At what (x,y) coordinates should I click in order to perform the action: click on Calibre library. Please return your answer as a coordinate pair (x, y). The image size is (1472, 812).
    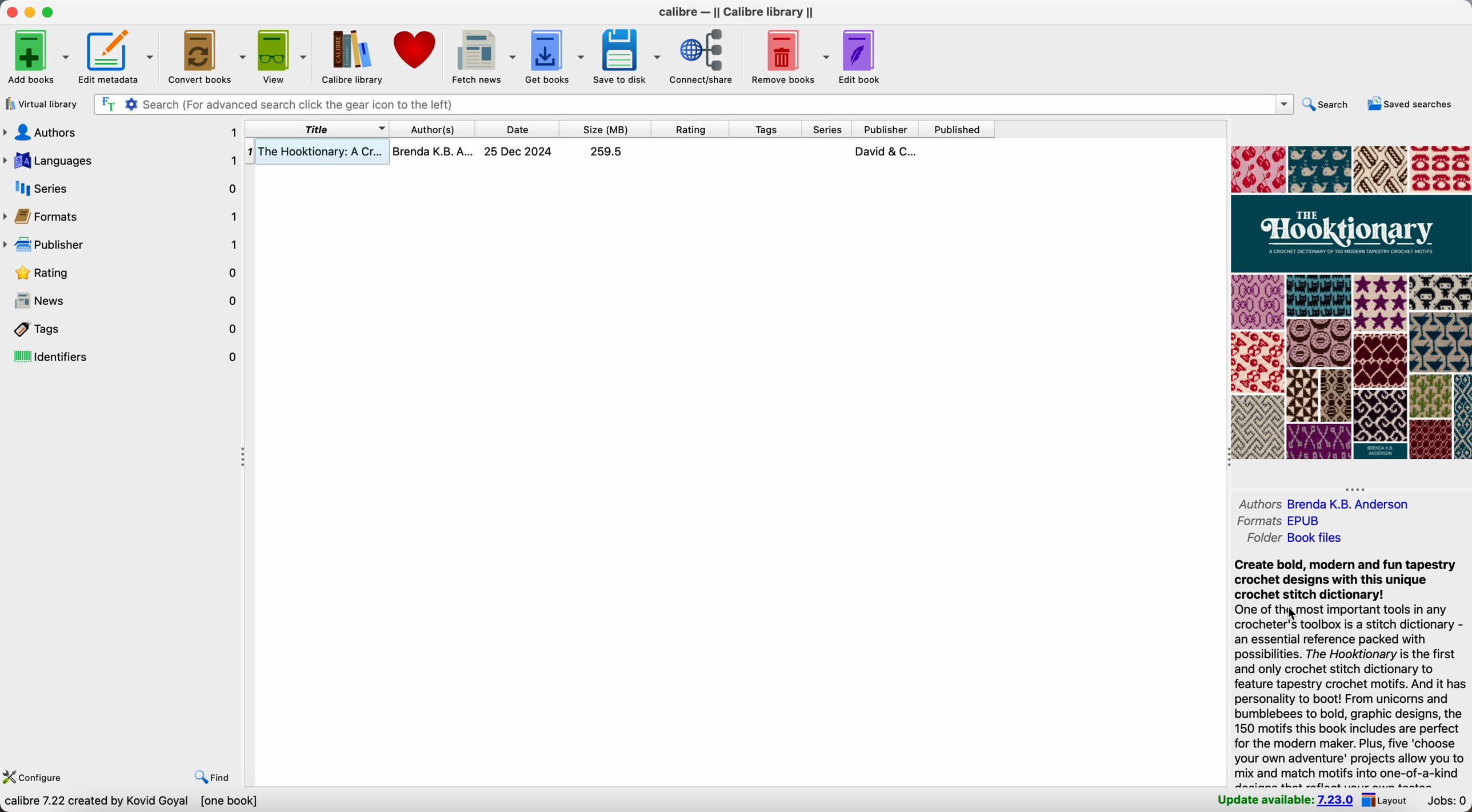
    Looking at the image, I should click on (351, 55).